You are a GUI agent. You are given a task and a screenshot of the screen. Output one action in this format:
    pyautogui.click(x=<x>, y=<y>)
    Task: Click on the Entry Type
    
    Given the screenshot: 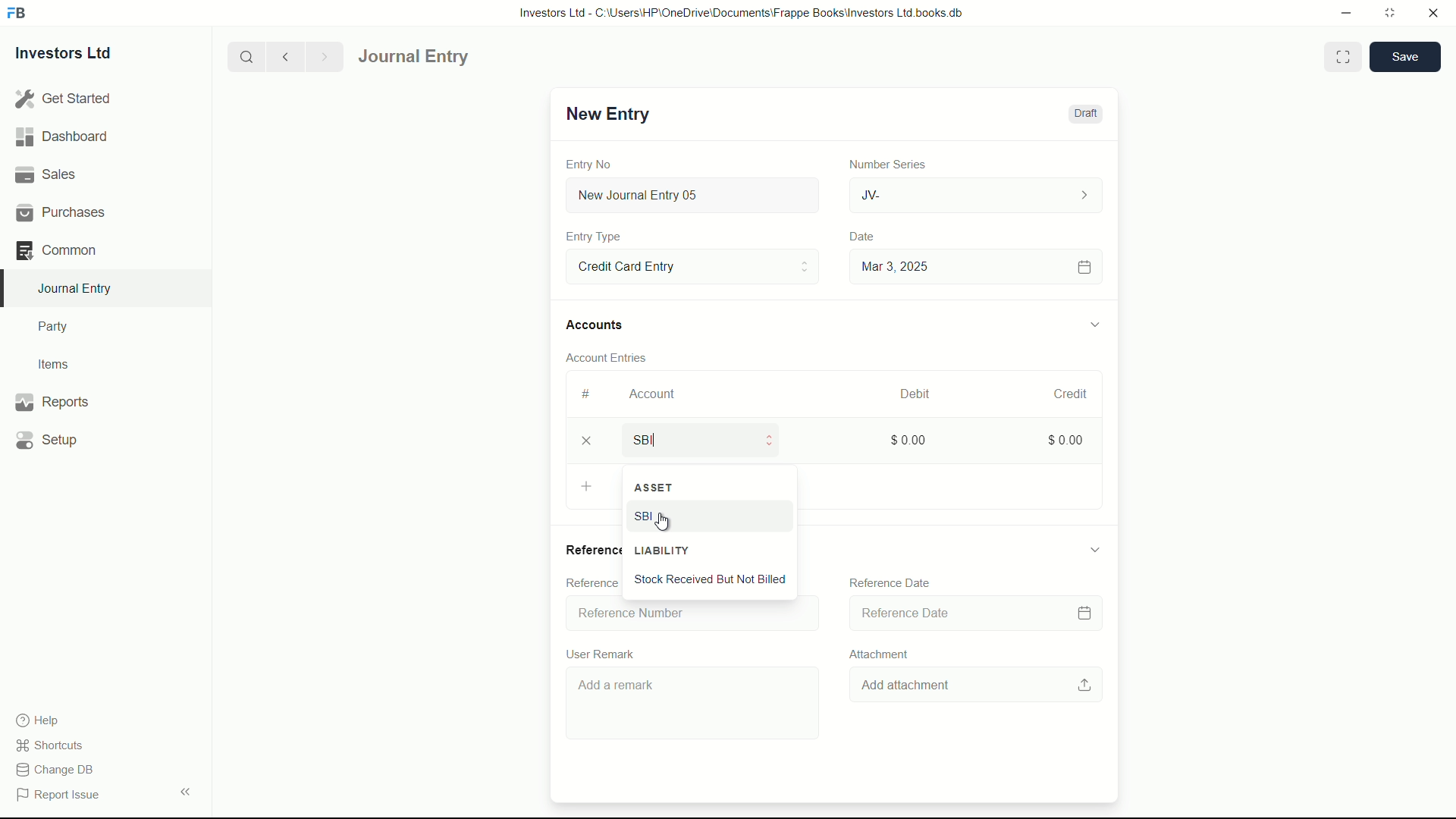 What is the action you would take?
    pyautogui.click(x=691, y=265)
    